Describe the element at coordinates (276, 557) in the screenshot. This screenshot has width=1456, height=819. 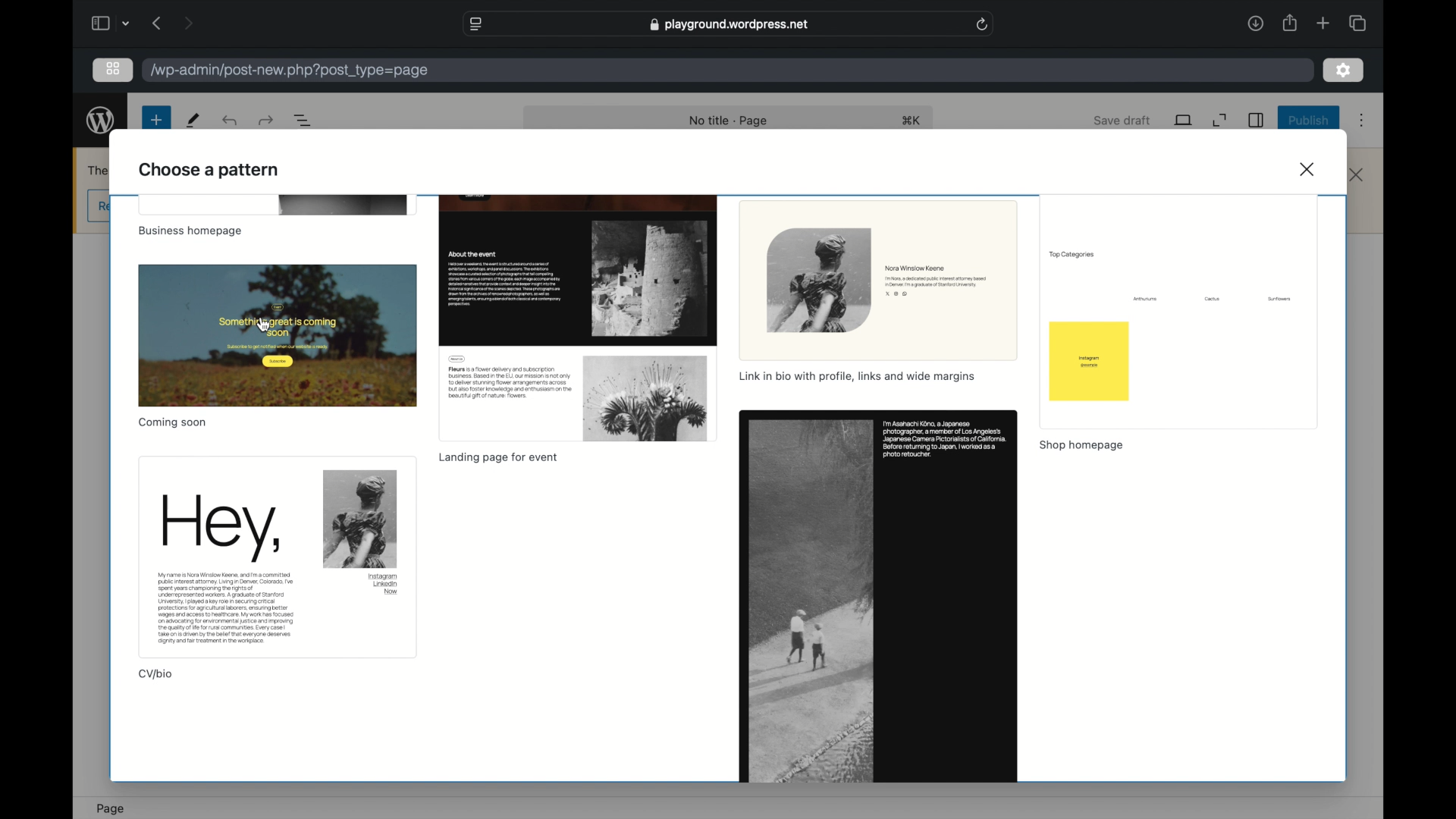
I see `preview` at that location.